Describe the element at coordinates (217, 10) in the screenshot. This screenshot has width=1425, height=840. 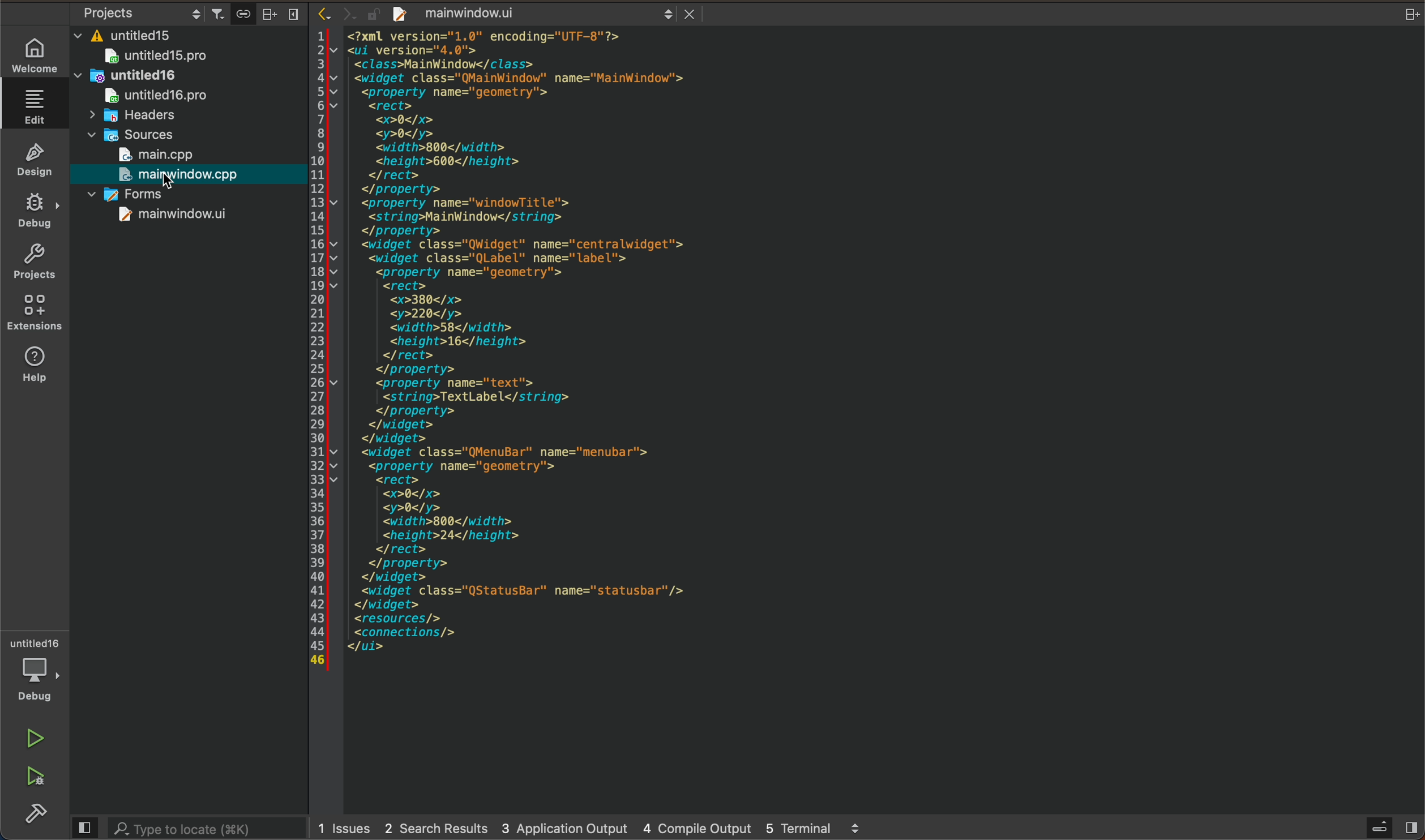
I see `Filter` at that location.